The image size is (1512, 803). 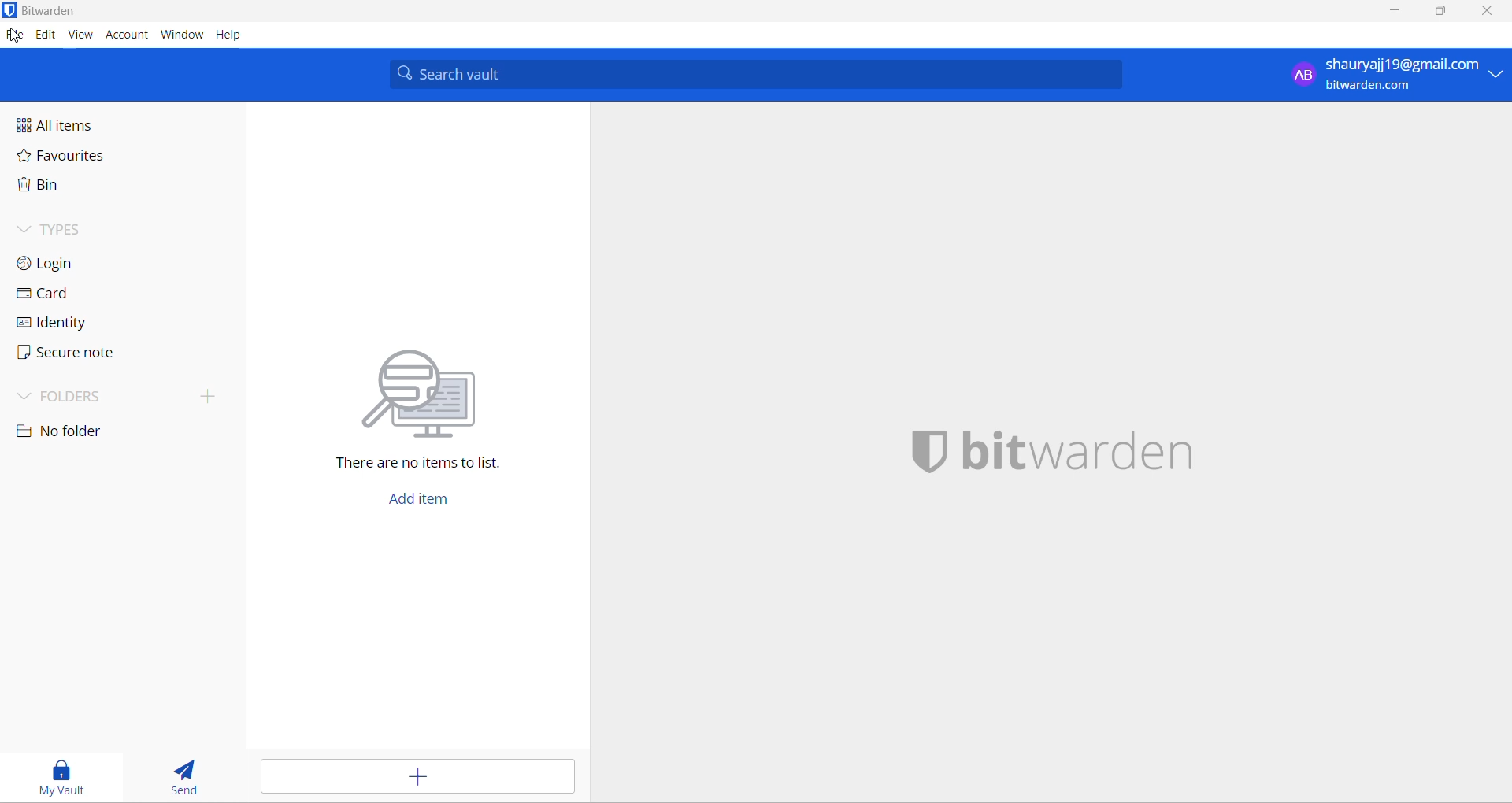 I want to click on Bin, so click(x=102, y=189).